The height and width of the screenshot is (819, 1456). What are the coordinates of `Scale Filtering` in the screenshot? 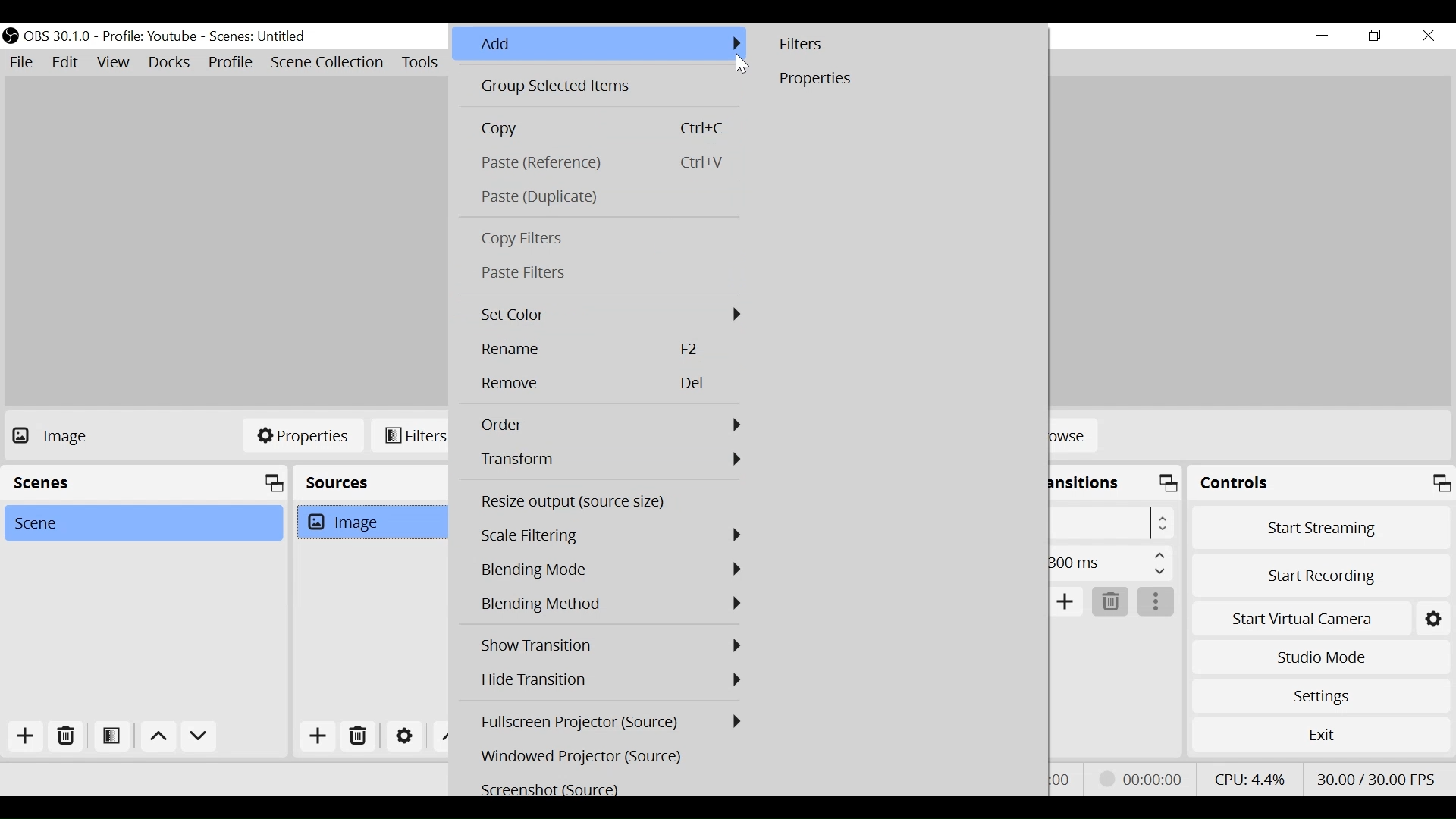 It's located at (612, 537).